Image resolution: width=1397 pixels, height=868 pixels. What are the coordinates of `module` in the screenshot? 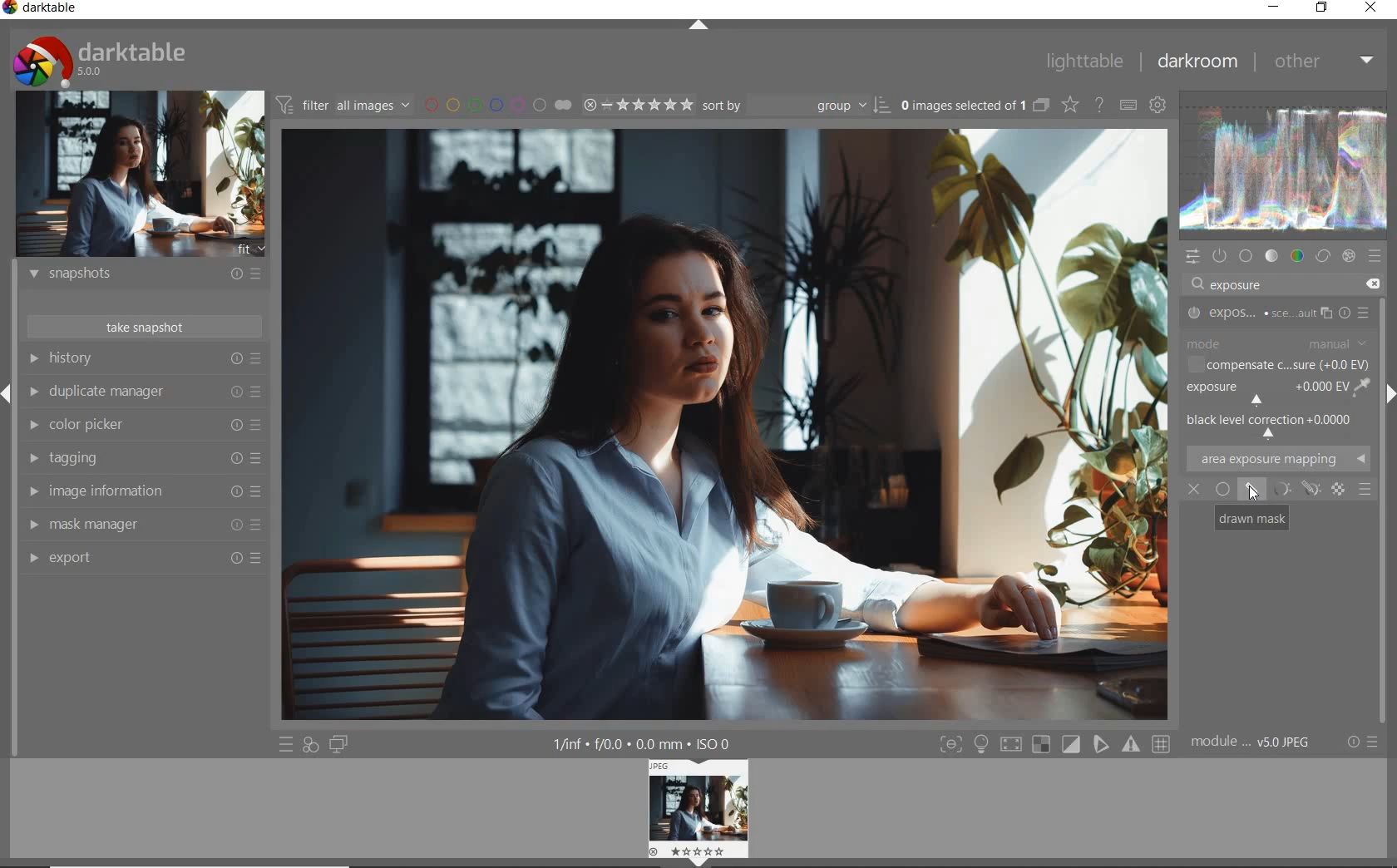 It's located at (1253, 744).